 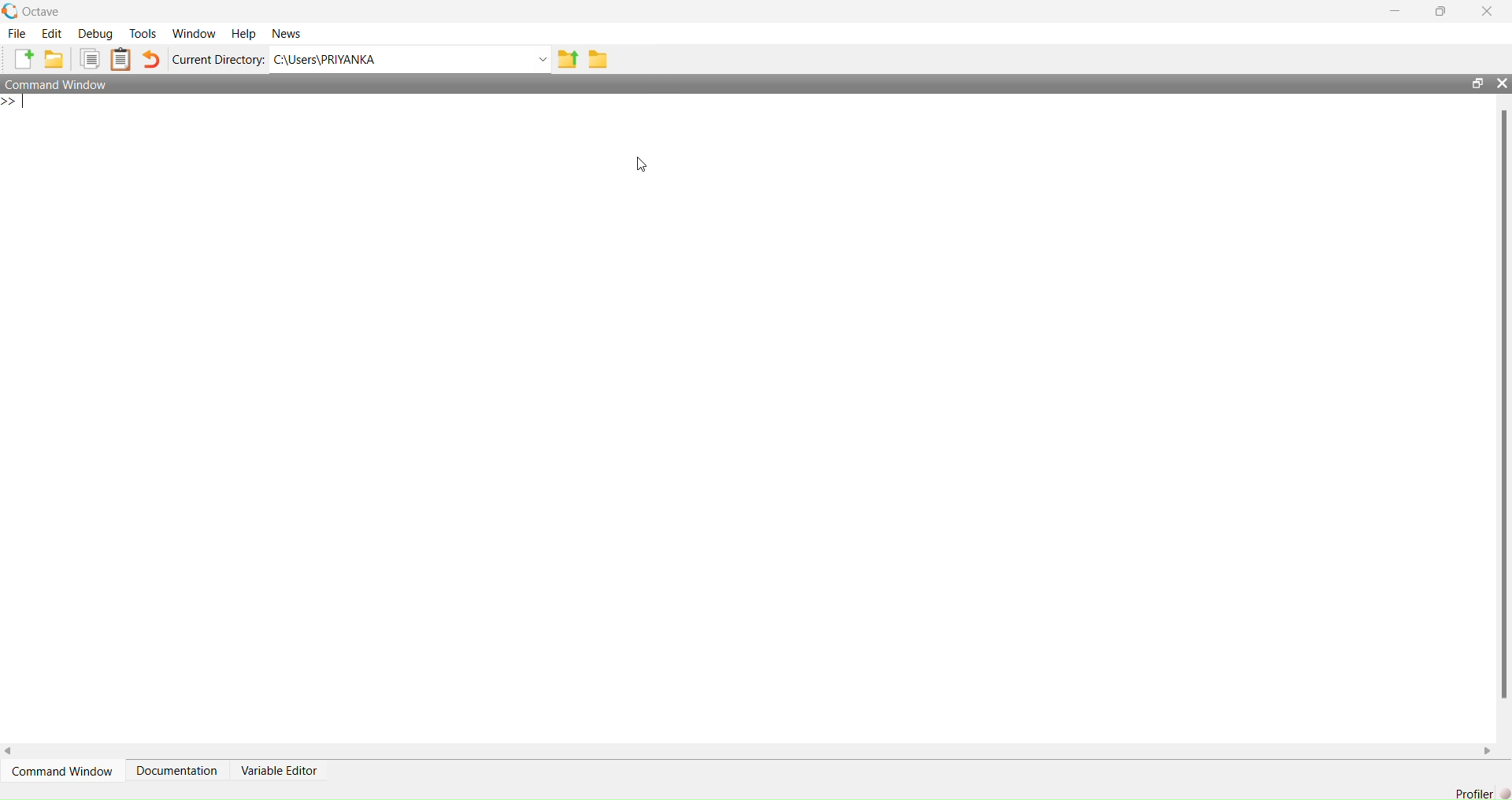 What do you see at coordinates (180, 770) in the screenshot?
I see `Documentation` at bounding box center [180, 770].